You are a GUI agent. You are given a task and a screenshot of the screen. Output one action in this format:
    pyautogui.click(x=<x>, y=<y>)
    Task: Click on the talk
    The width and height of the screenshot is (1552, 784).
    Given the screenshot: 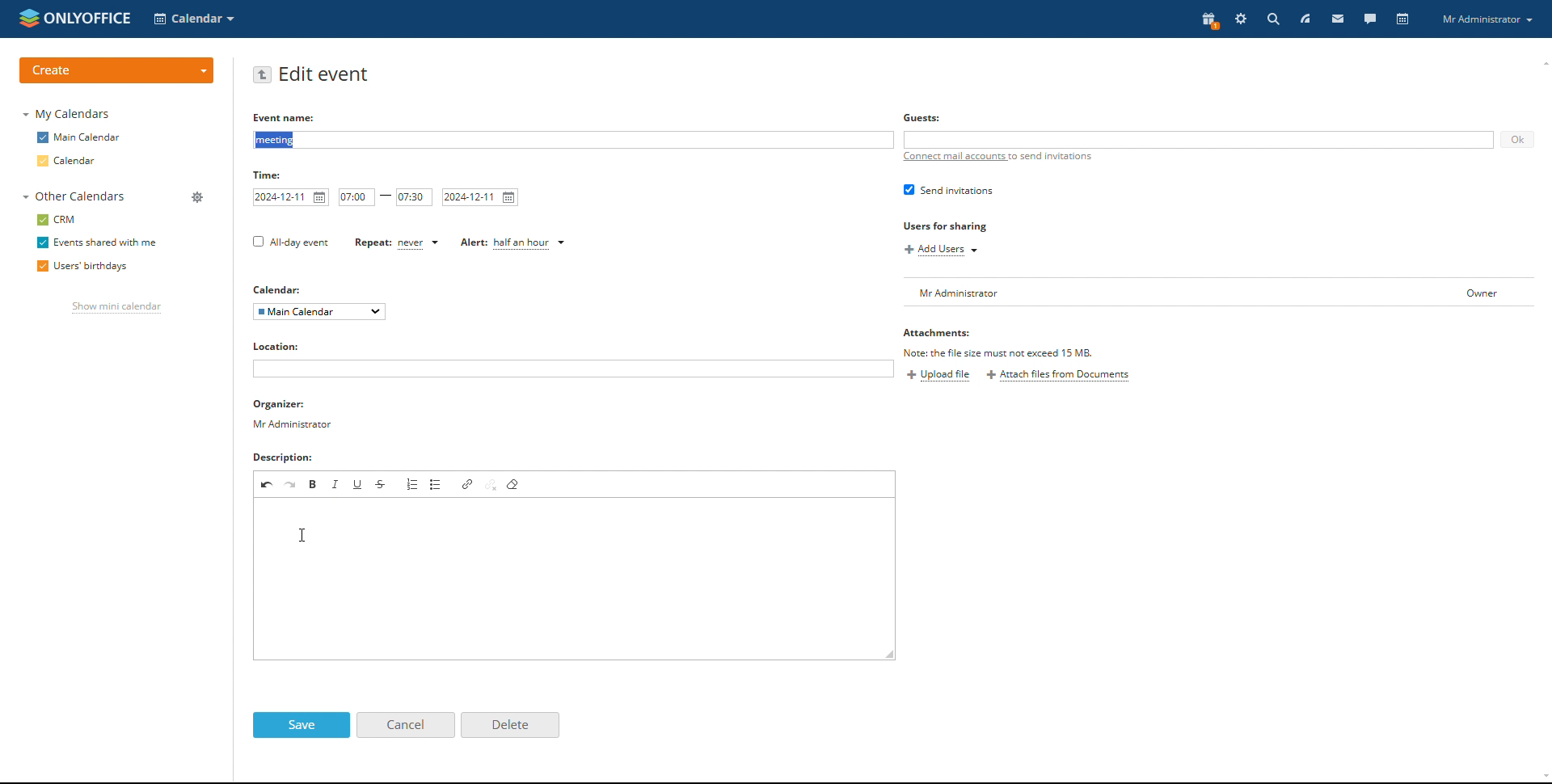 What is the action you would take?
    pyautogui.click(x=1370, y=18)
    